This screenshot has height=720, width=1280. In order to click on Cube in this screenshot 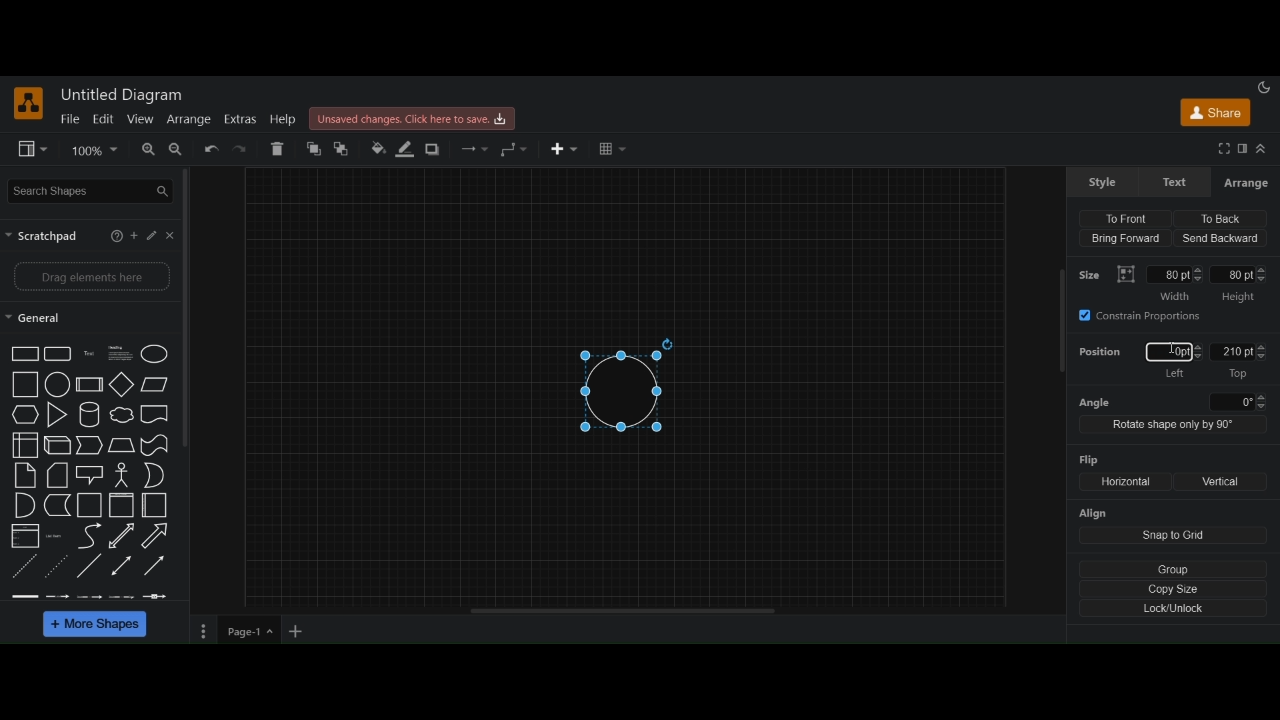, I will do `click(58, 446)`.